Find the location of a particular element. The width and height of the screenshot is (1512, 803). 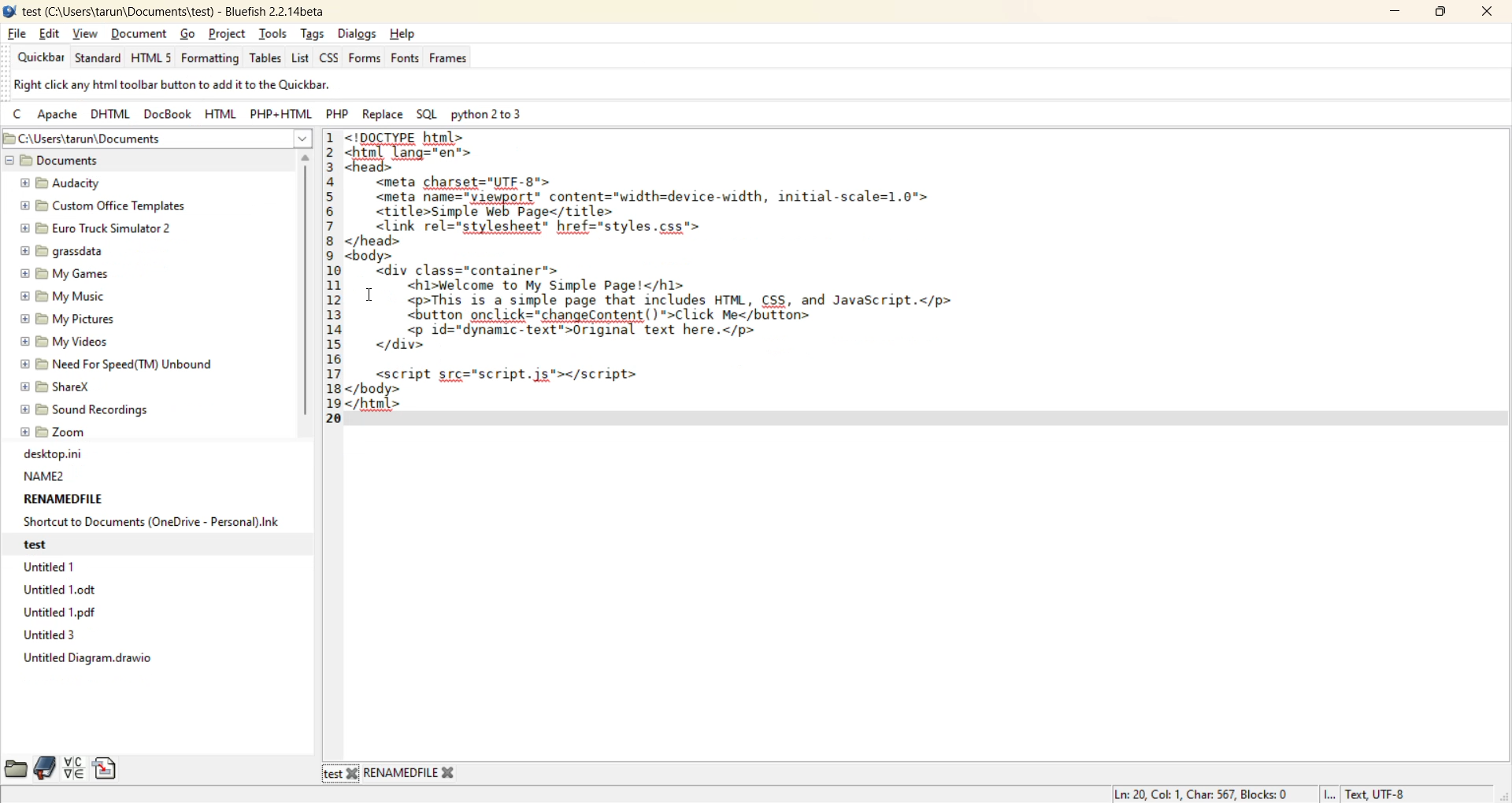

c is located at coordinates (16, 112).